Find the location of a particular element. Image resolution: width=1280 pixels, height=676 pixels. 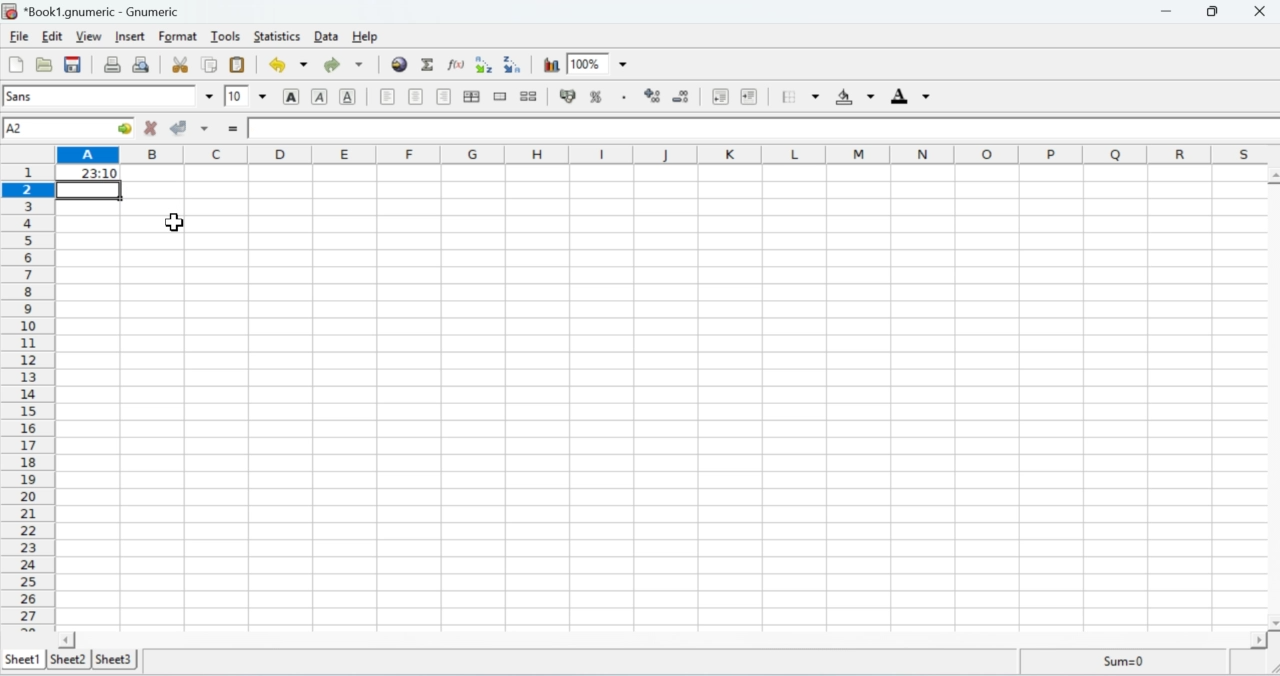

Rows is located at coordinates (27, 393).